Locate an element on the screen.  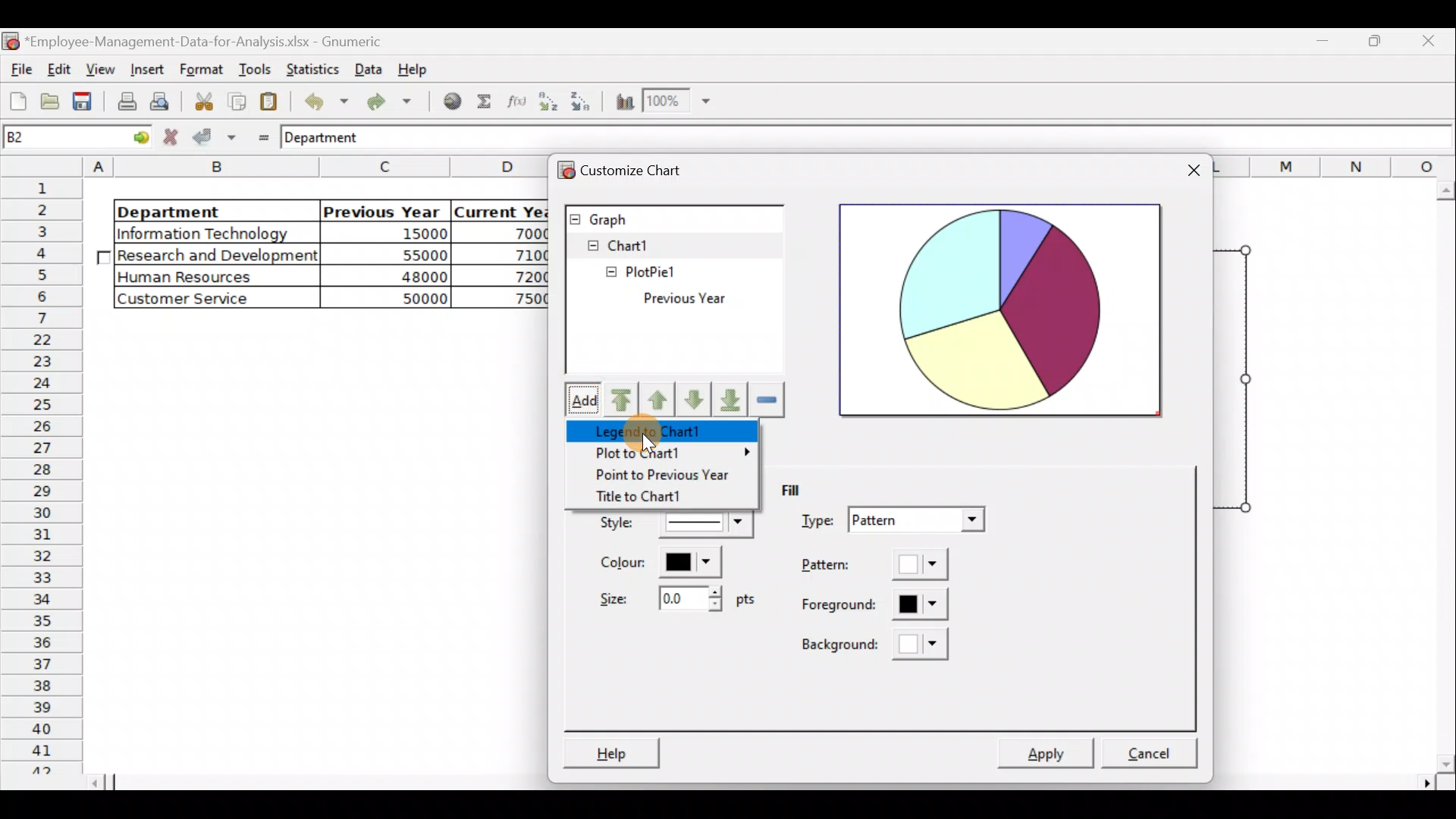
Plot to chart1 is located at coordinates (665, 454).